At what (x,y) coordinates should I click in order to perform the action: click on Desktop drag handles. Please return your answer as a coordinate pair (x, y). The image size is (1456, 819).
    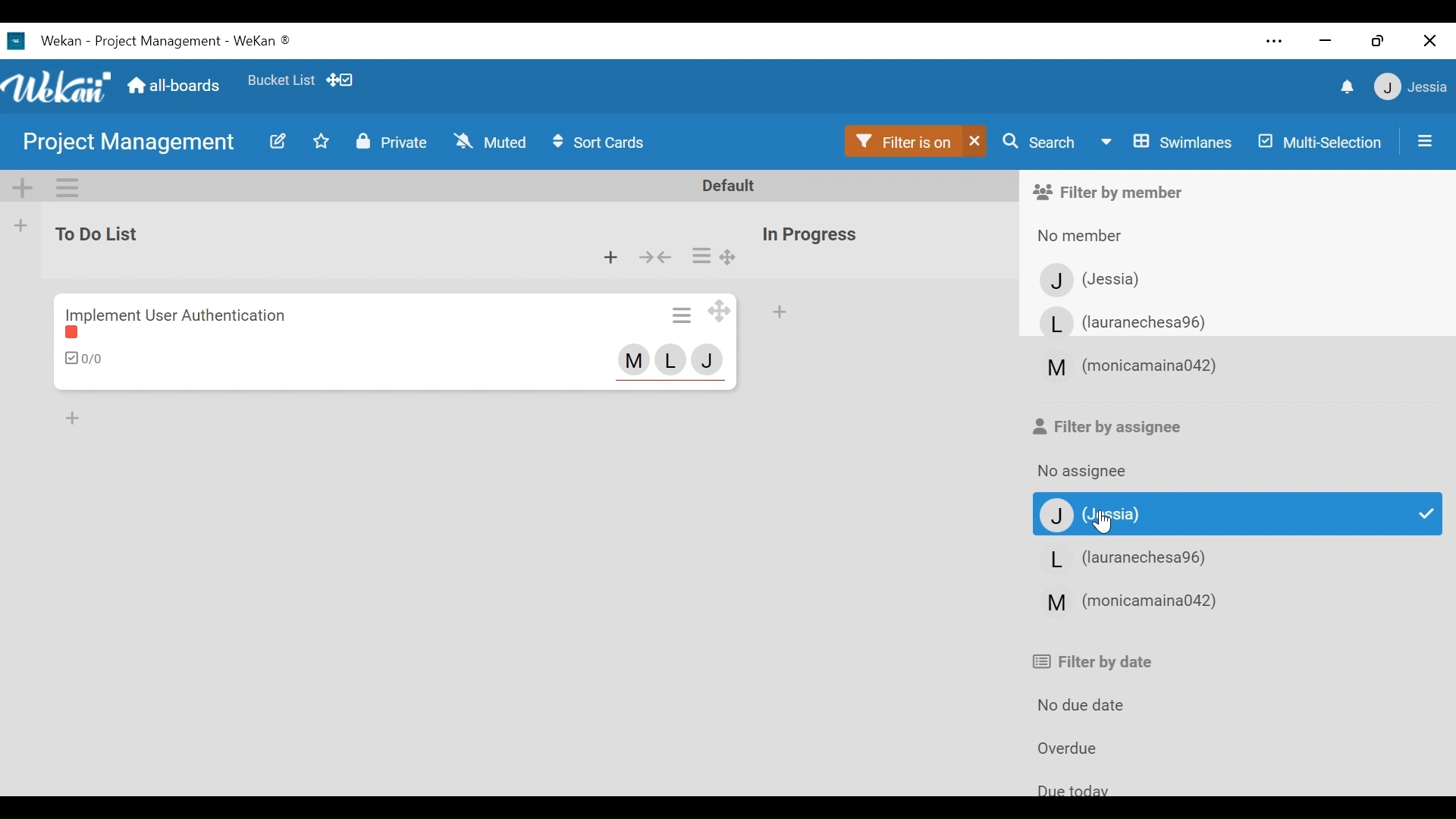
    Looking at the image, I should click on (724, 313).